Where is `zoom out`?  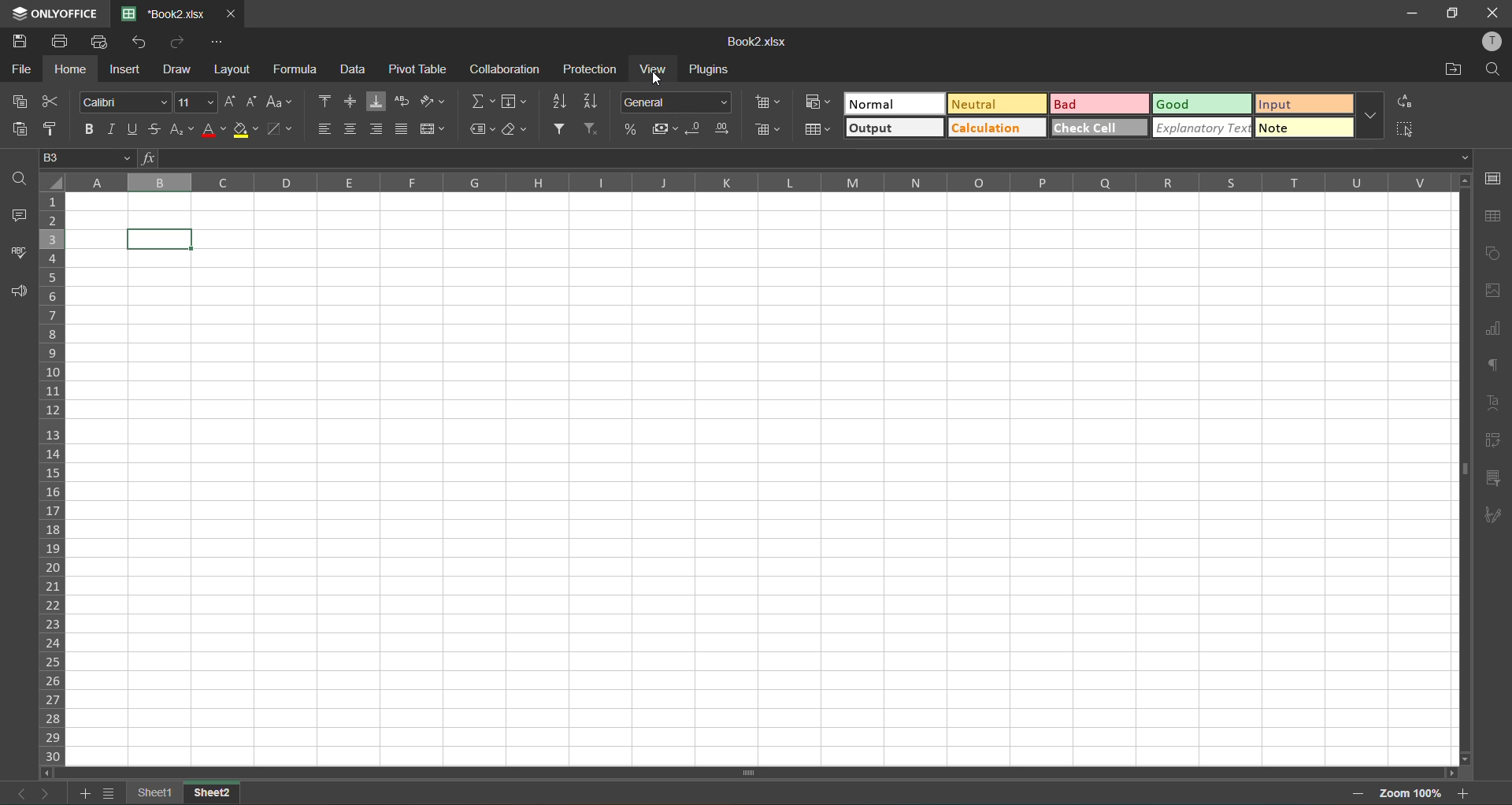 zoom out is located at coordinates (1362, 793).